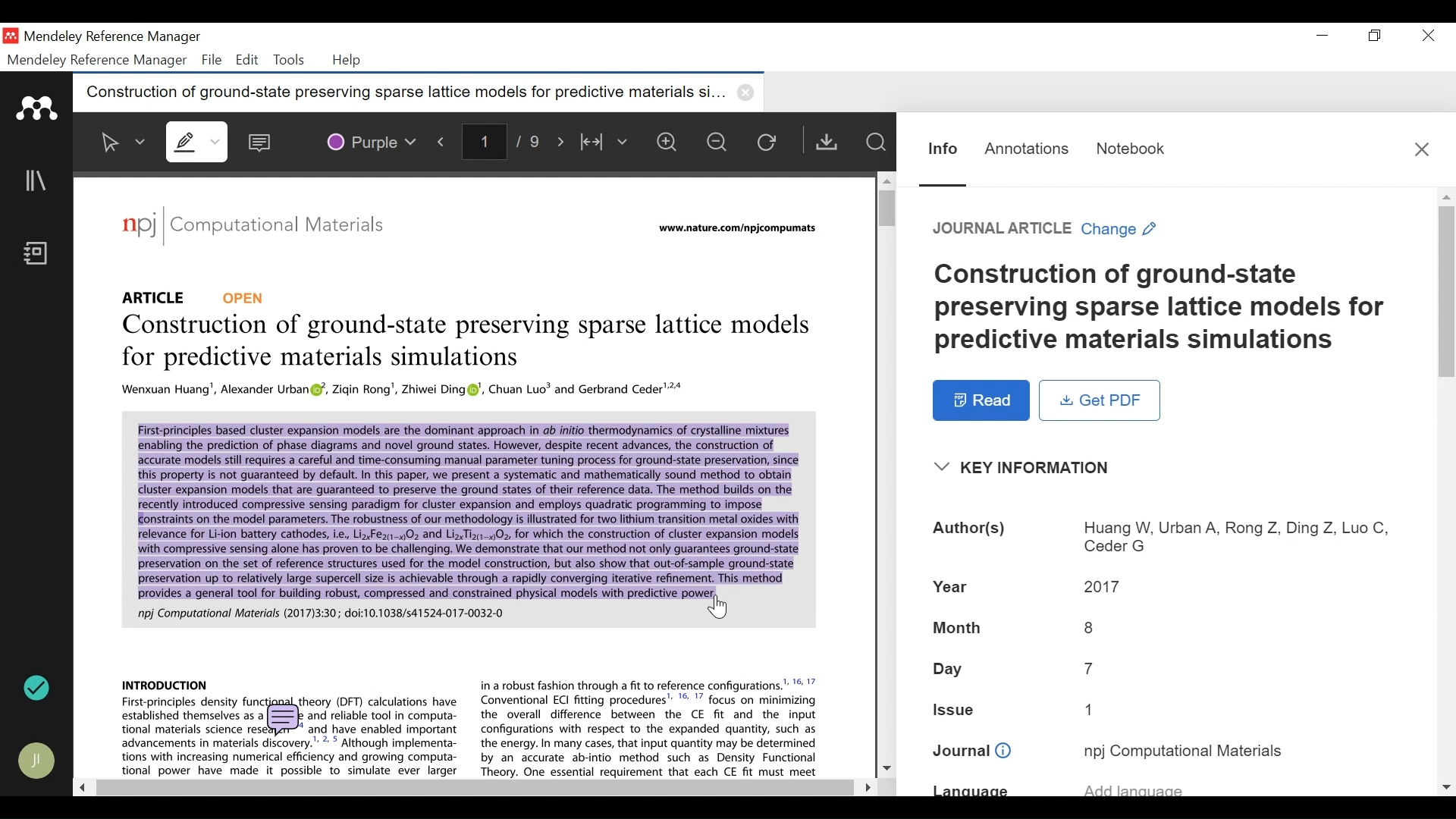  What do you see at coordinates (1323, 36) in the screenshot?
I see `minimize` at bounding box center [1323, 36].